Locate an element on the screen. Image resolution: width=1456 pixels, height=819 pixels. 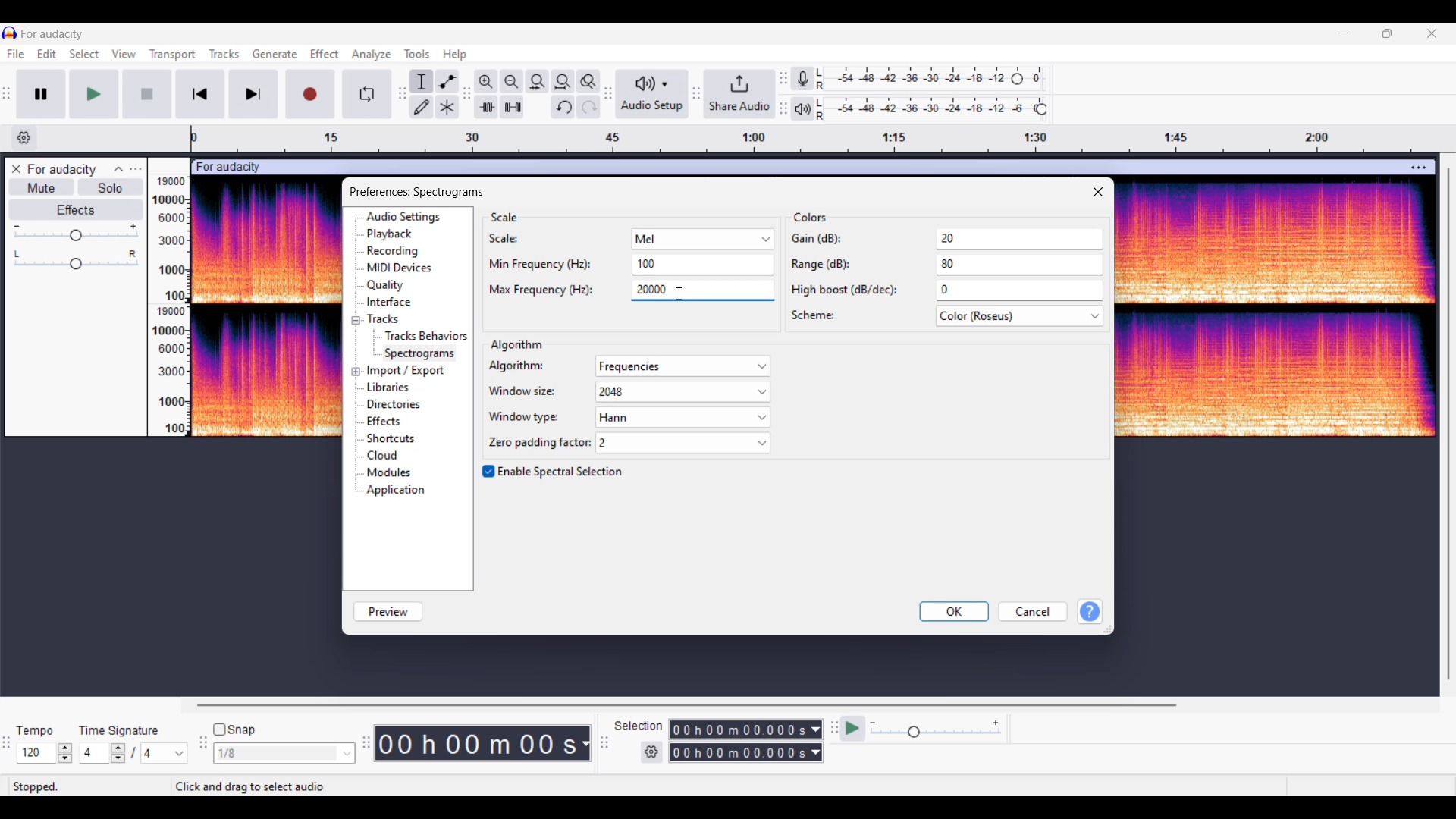
Show in smaller tab is located at coordinates (1387, 33).